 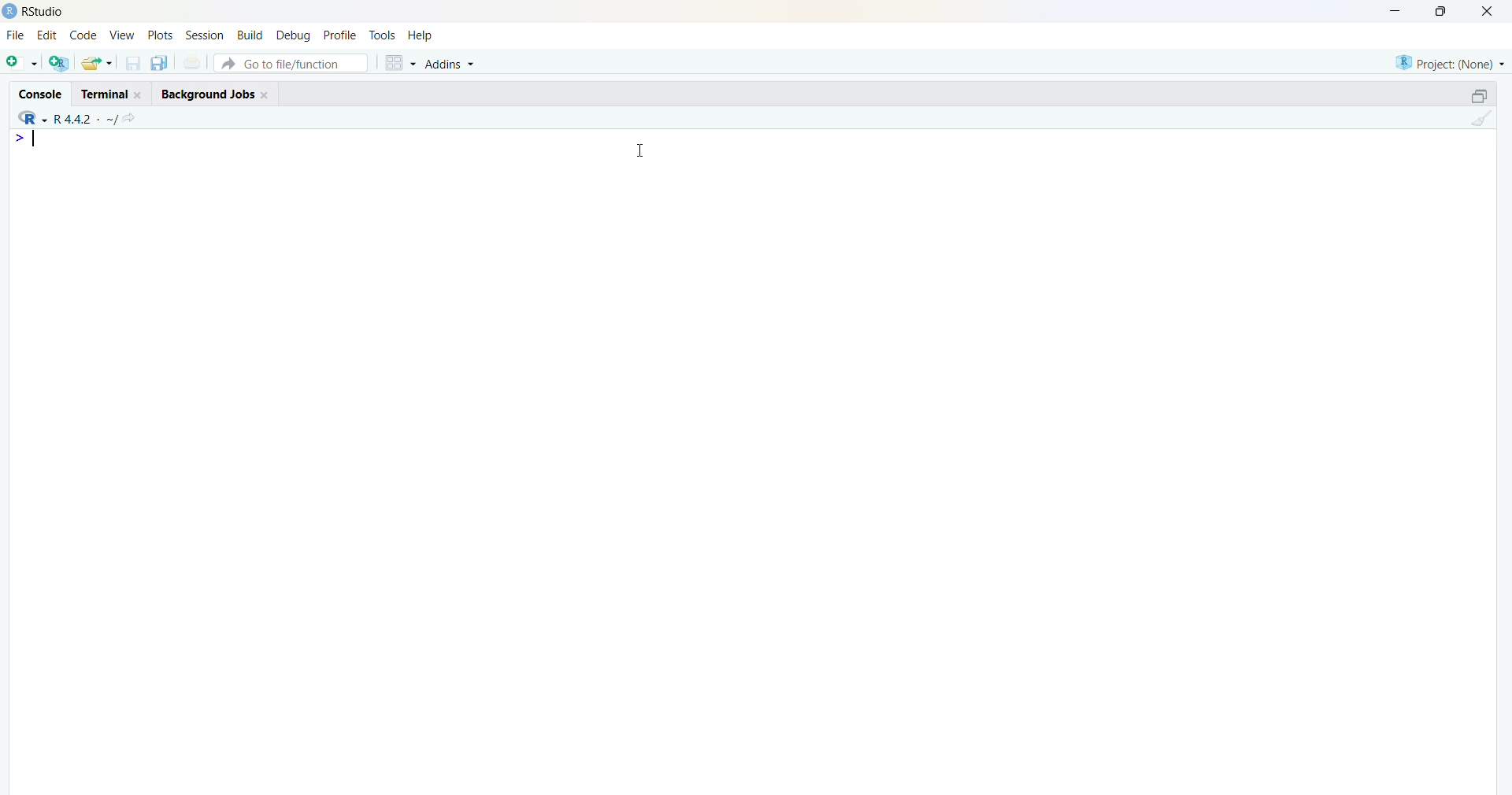 I want to click on Close, so click(x=1484, y=11).